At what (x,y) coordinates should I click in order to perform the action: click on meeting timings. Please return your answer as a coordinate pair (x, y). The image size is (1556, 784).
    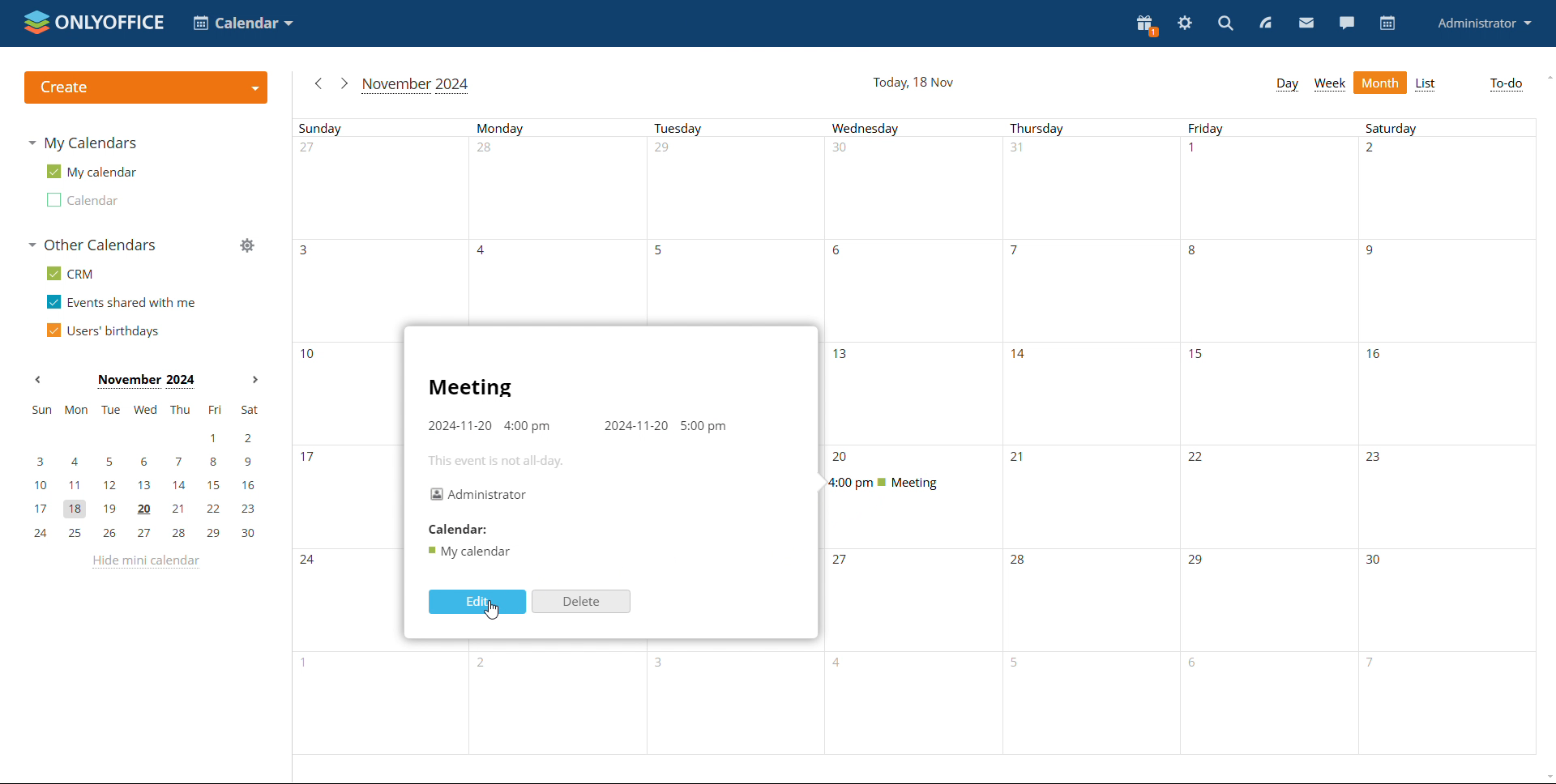
    Looking at the image, I should click on (579, 427).